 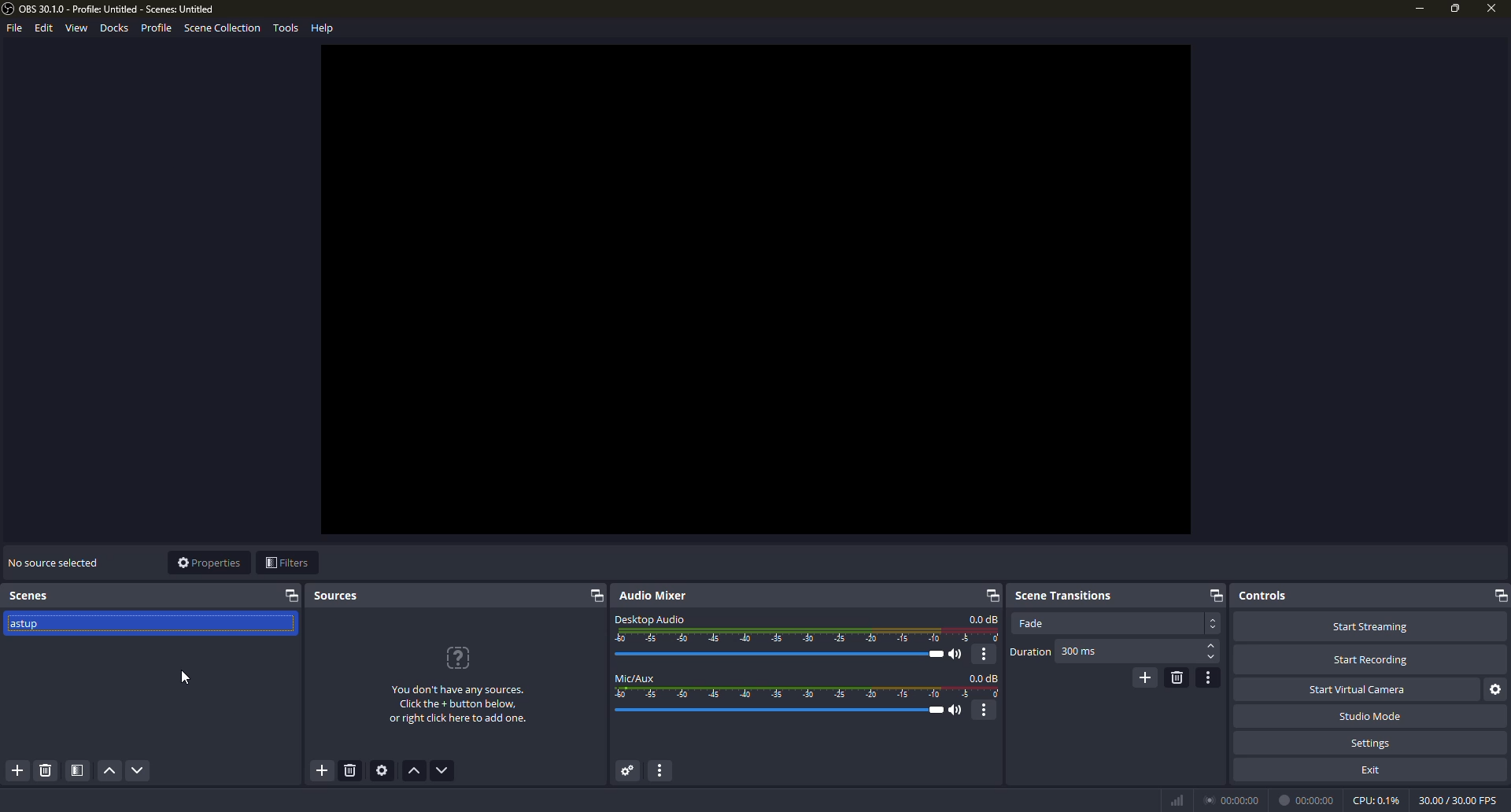 I want to click on transition properties, so click(x=1210, y=677).